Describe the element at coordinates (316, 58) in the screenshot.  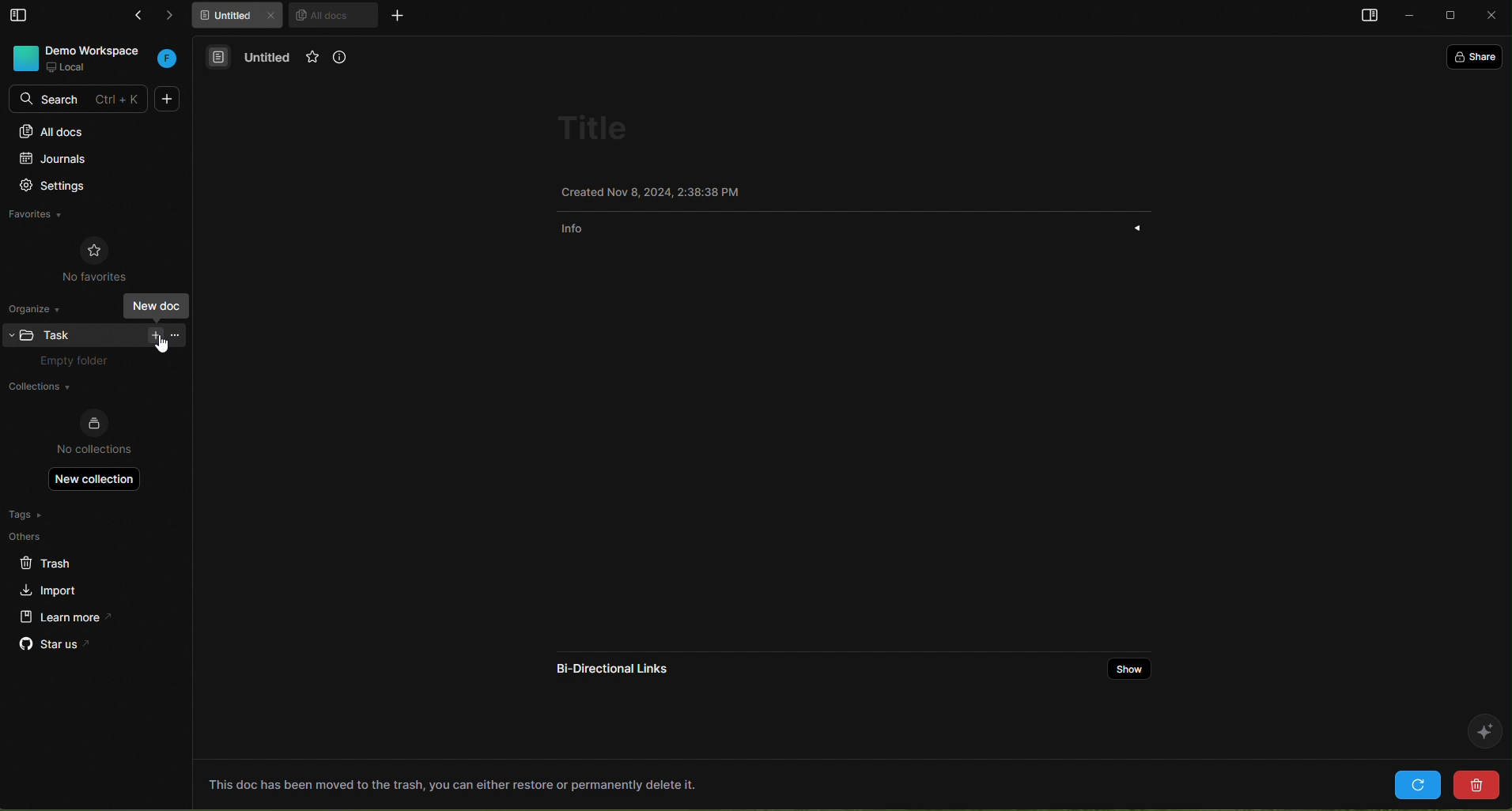
I see `favorites` at that location.